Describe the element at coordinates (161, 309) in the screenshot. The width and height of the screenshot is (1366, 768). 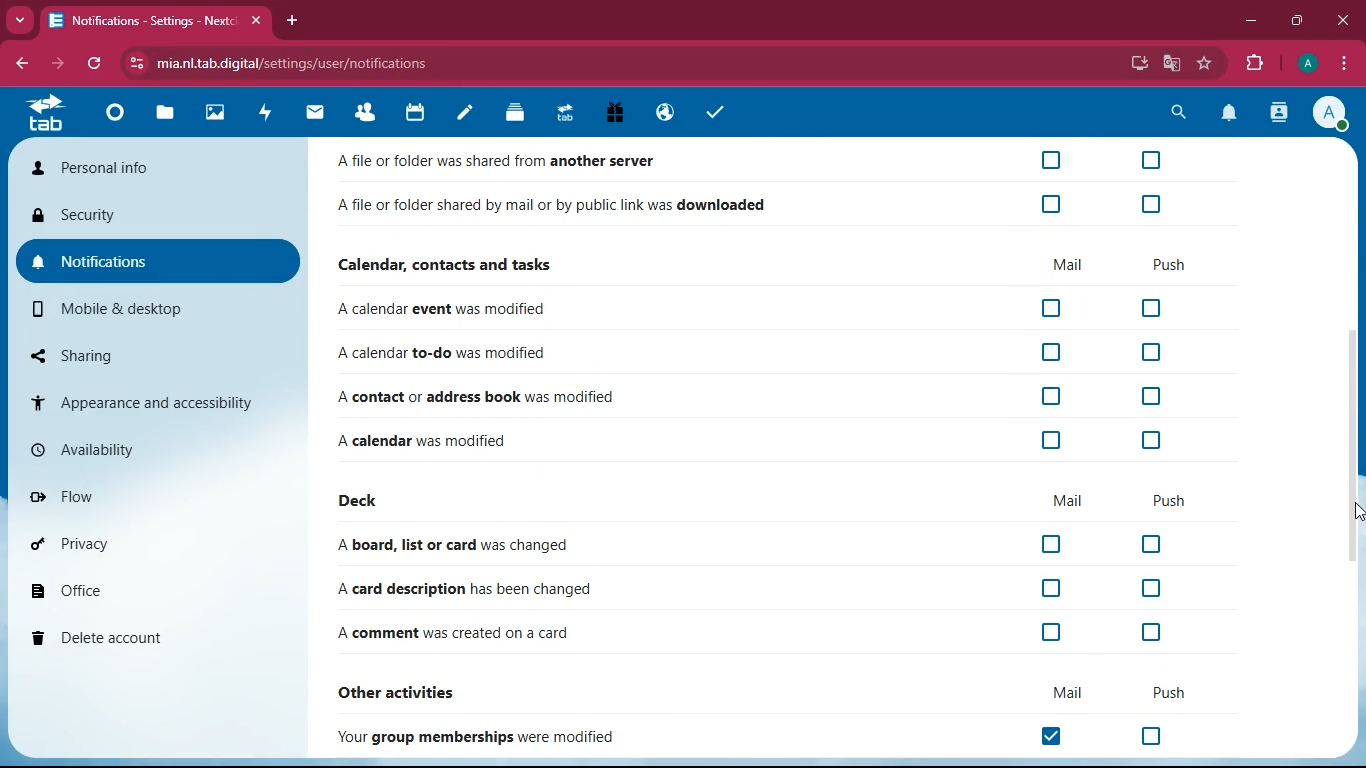
I see `mobile & desktop` at that location.